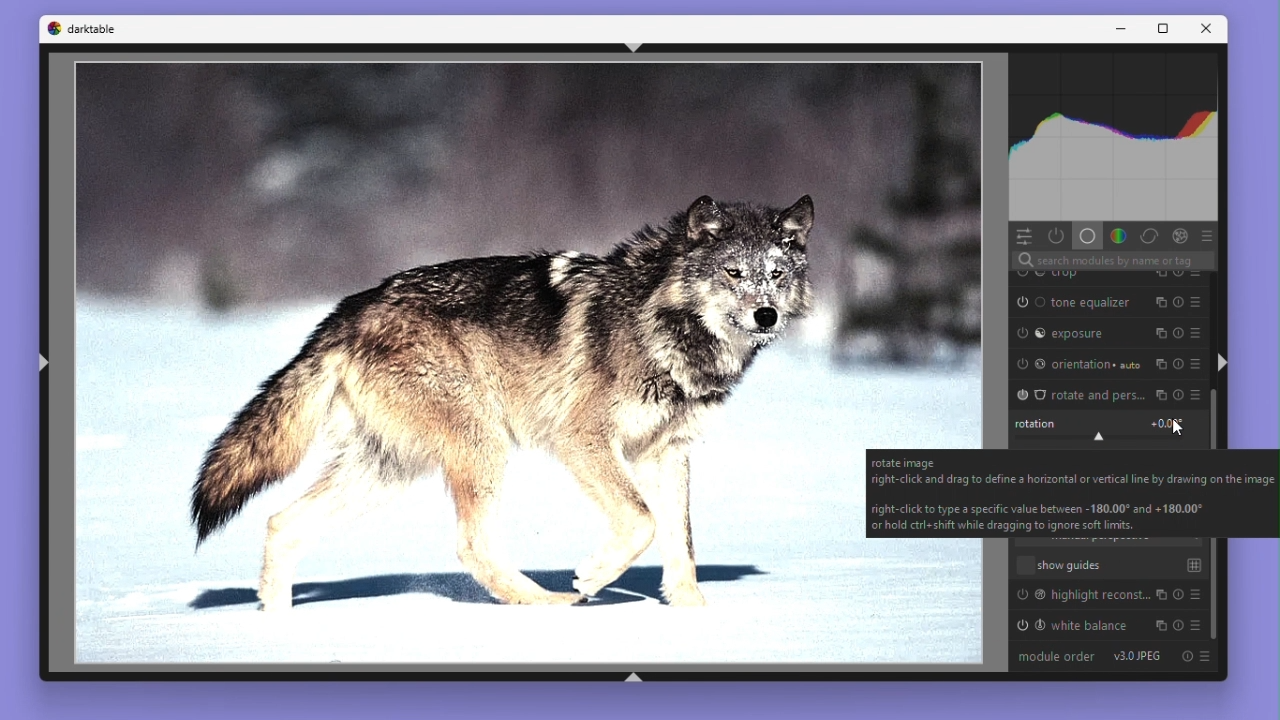 Image resolution: width=1280 pixels, height=720 pixels. What do you see at coordinates (1086, 235) in the screenshot?
I see `Base` at bounding box center [1086, 235].